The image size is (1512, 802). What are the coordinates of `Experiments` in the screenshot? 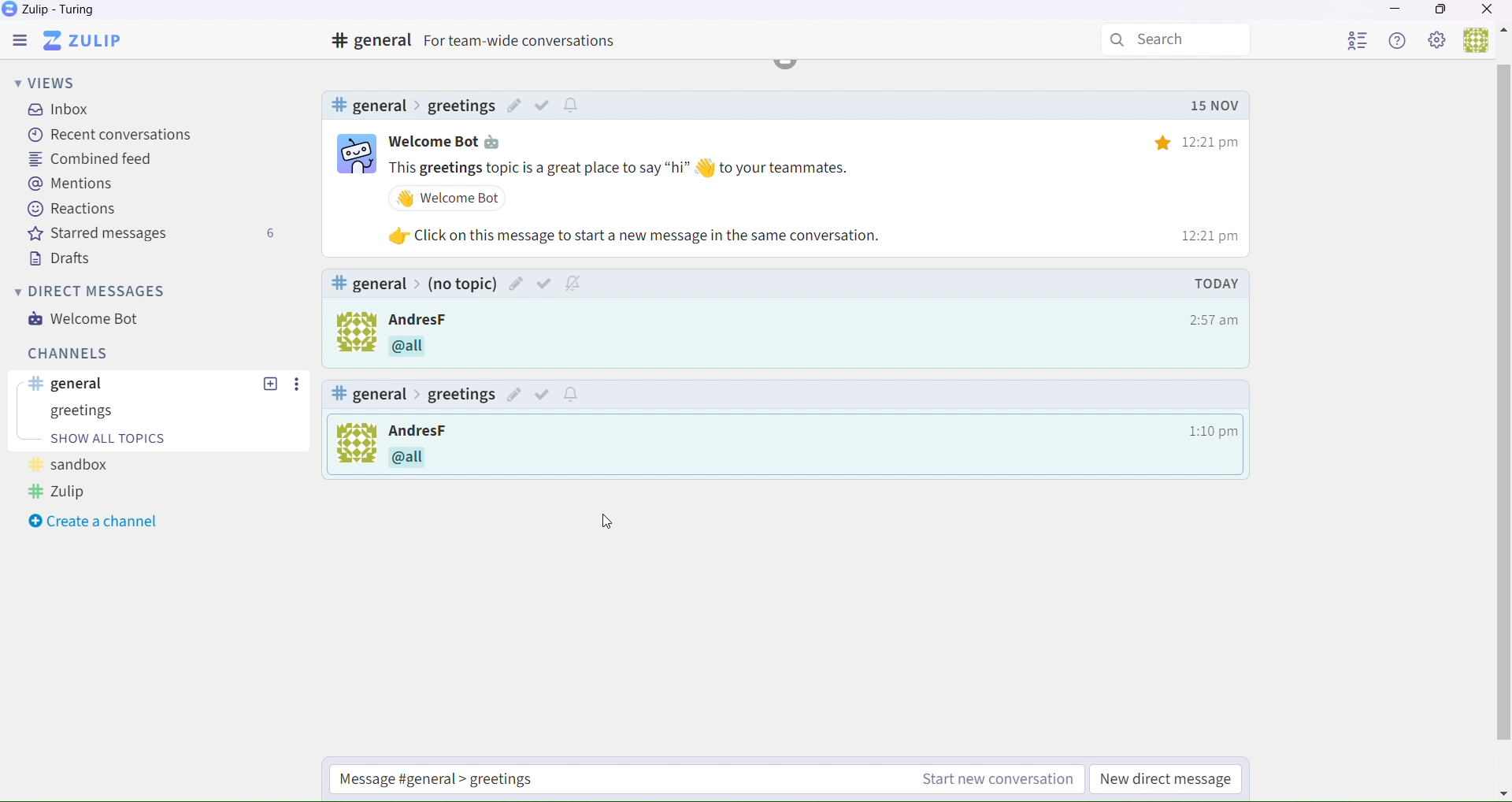 It's located at (94, 466).